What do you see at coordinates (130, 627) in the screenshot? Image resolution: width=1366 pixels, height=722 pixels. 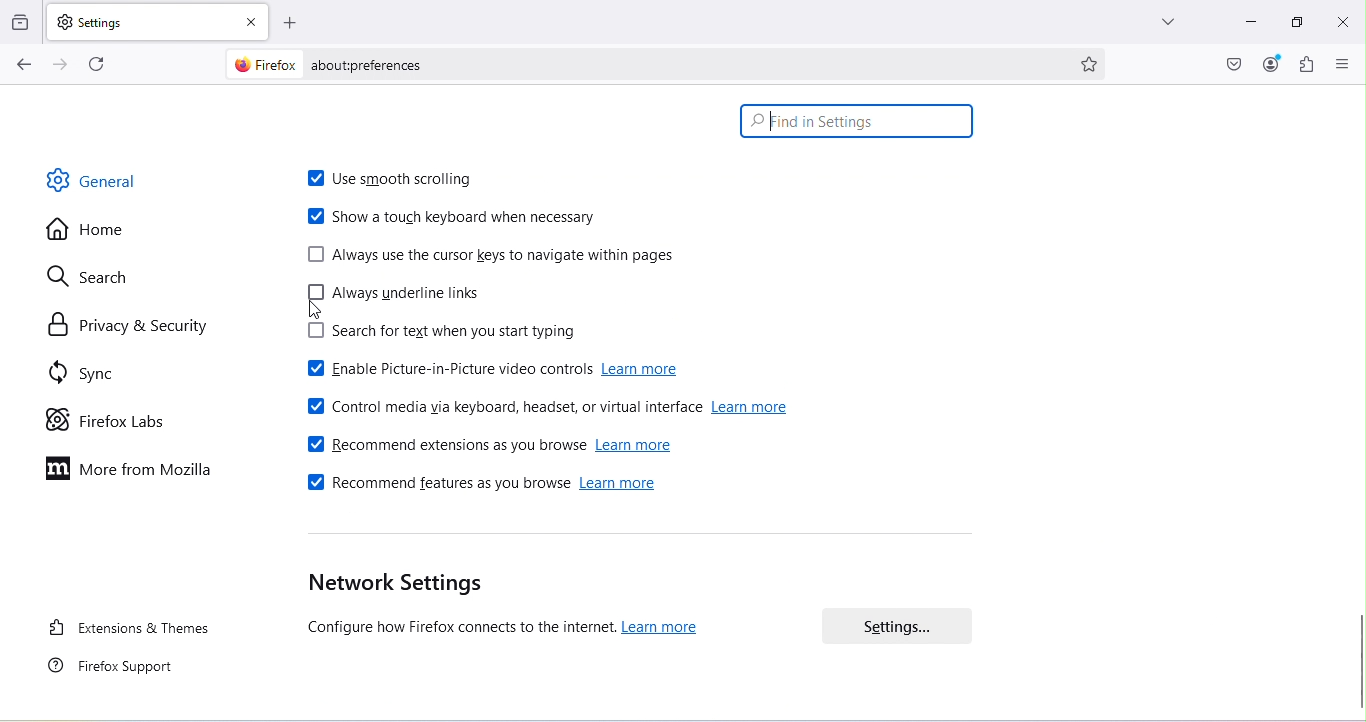 I see `Extensions and themes` at bounding box center [130, 627].